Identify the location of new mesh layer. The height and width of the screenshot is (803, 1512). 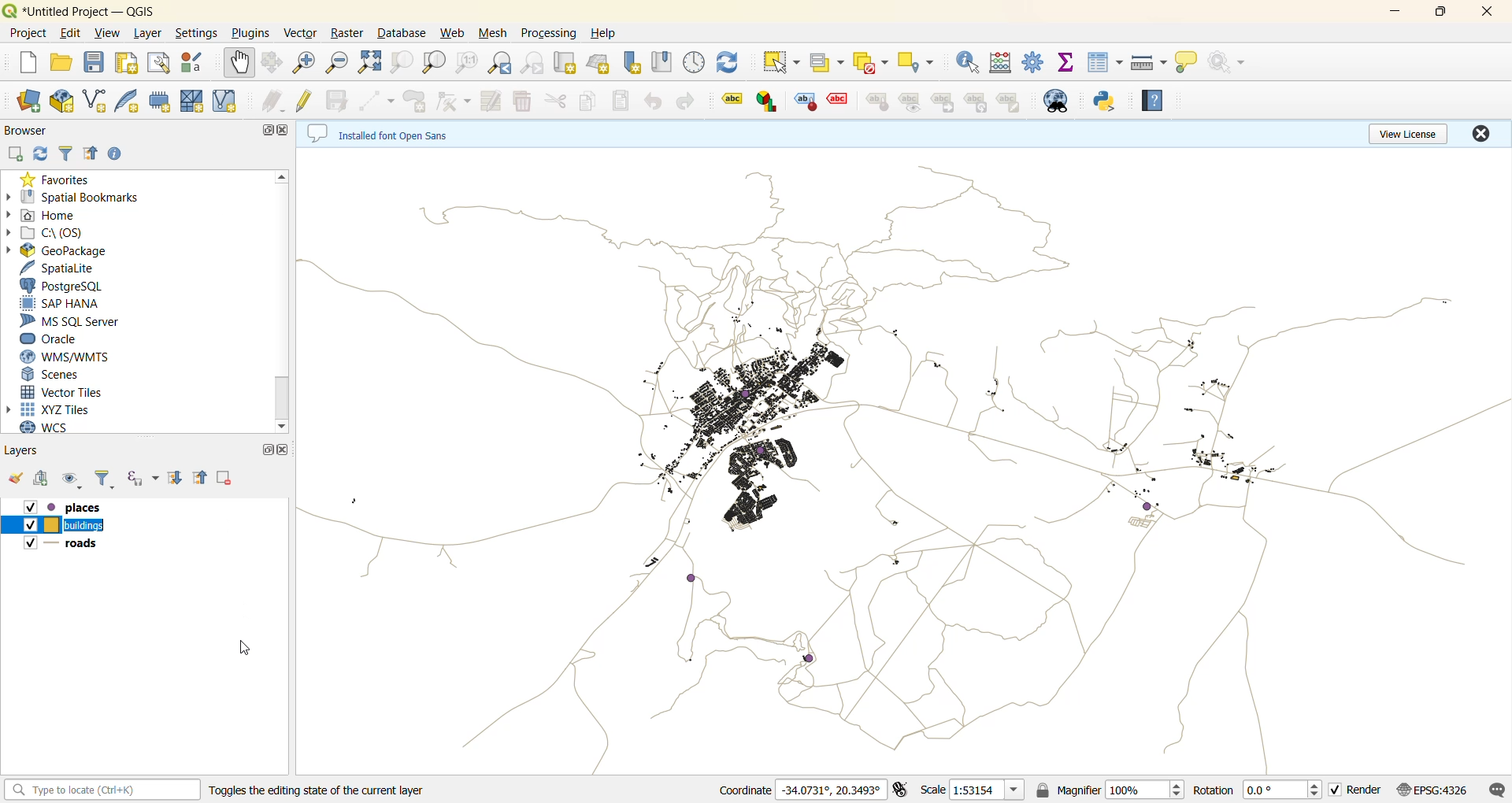
(194, 100).